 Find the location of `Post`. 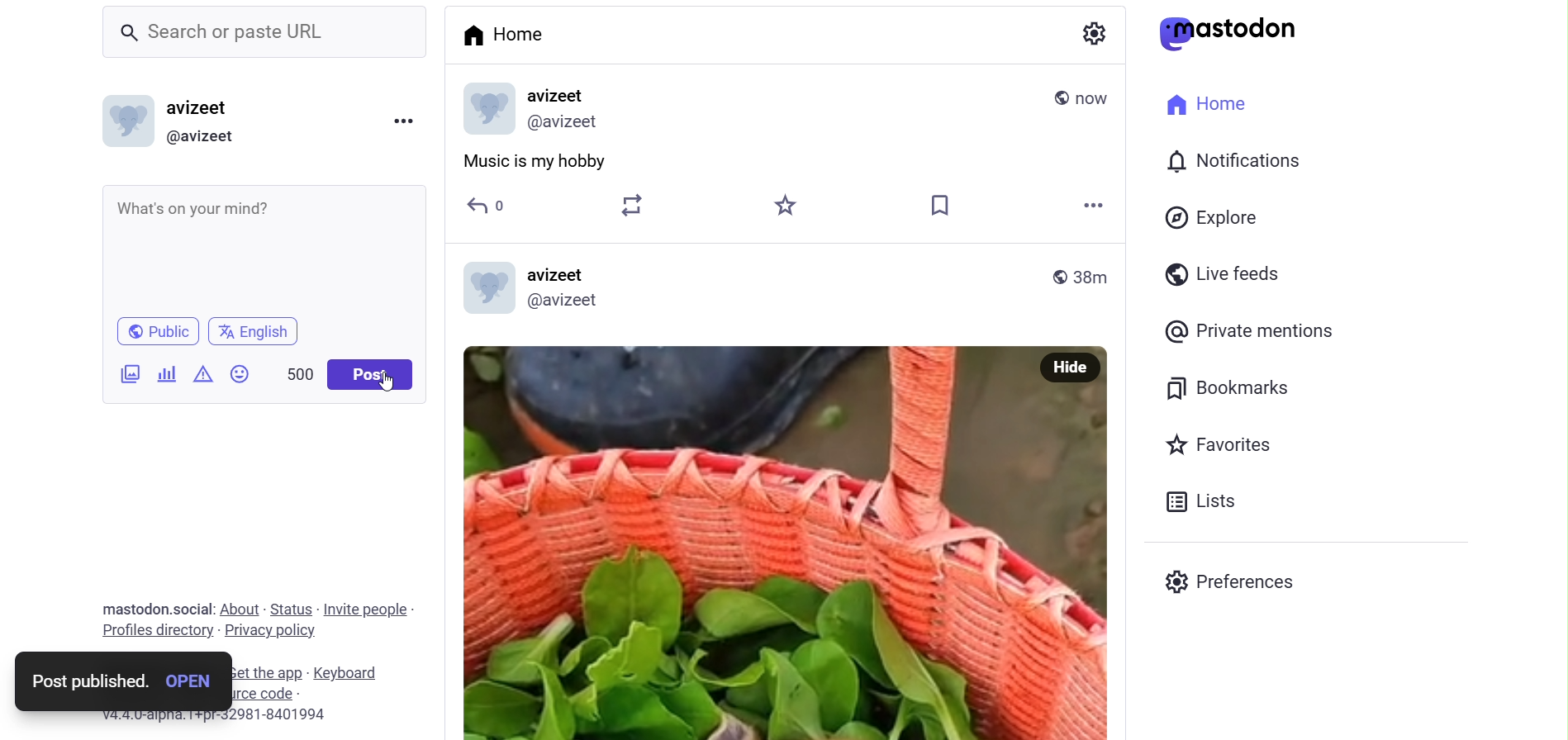

Post is located at coordinates (742, 543).